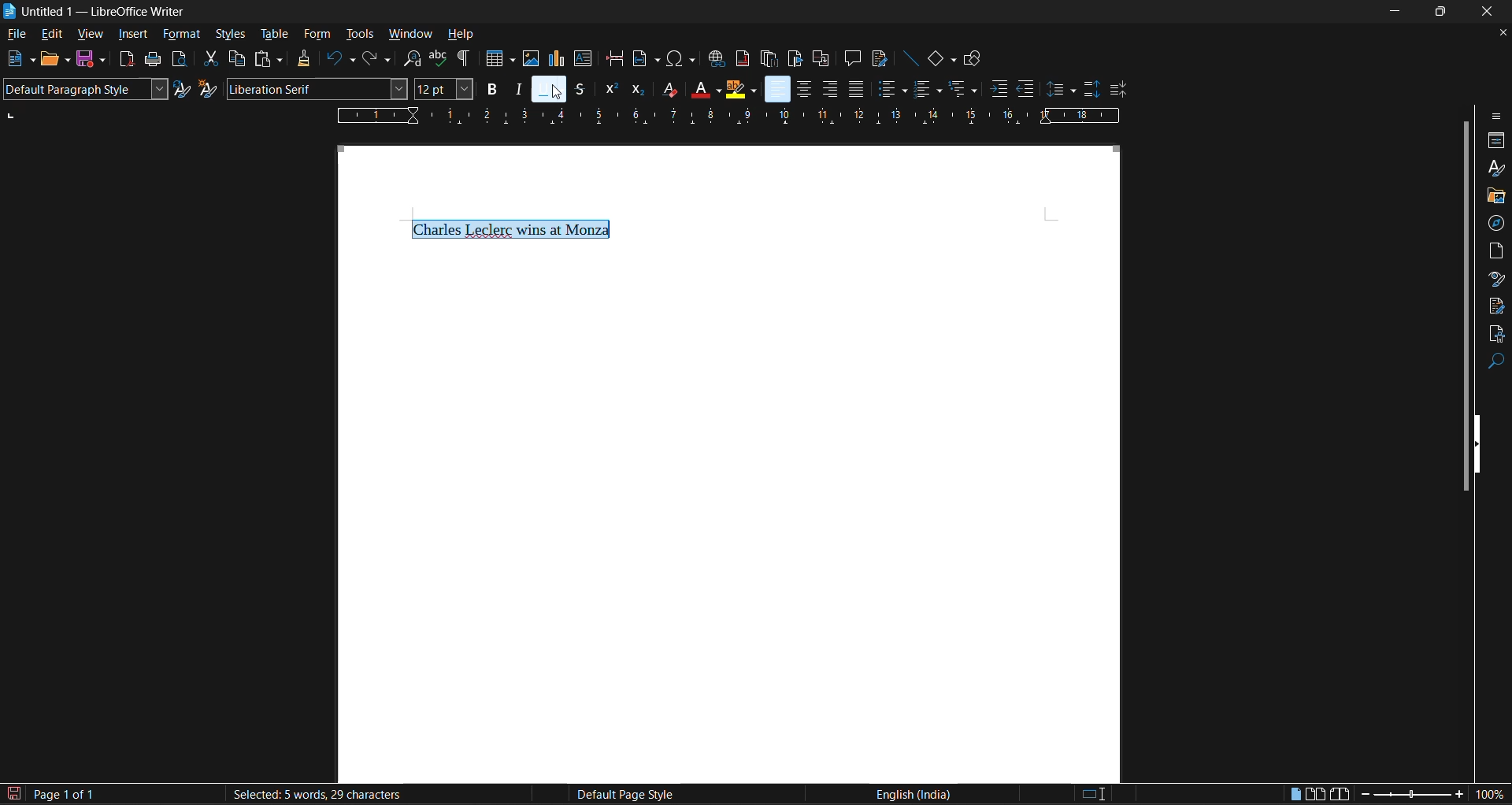 This screenshot has width=1512, height=805. What do you see at coordinates (1496, 362) in the screenshot?
I see `find` at bounding box center [1496, 362].